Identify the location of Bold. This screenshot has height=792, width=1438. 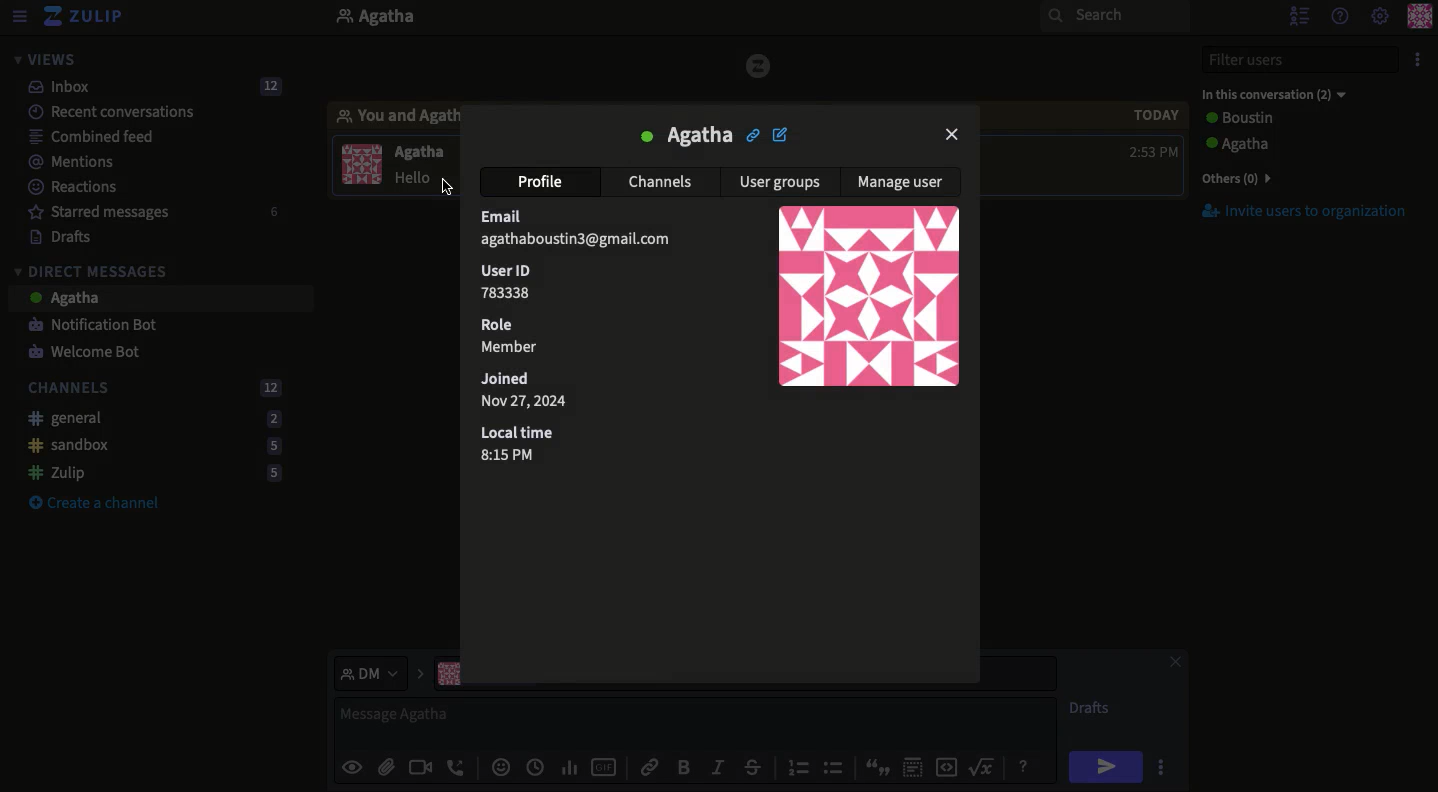
(684, 766).